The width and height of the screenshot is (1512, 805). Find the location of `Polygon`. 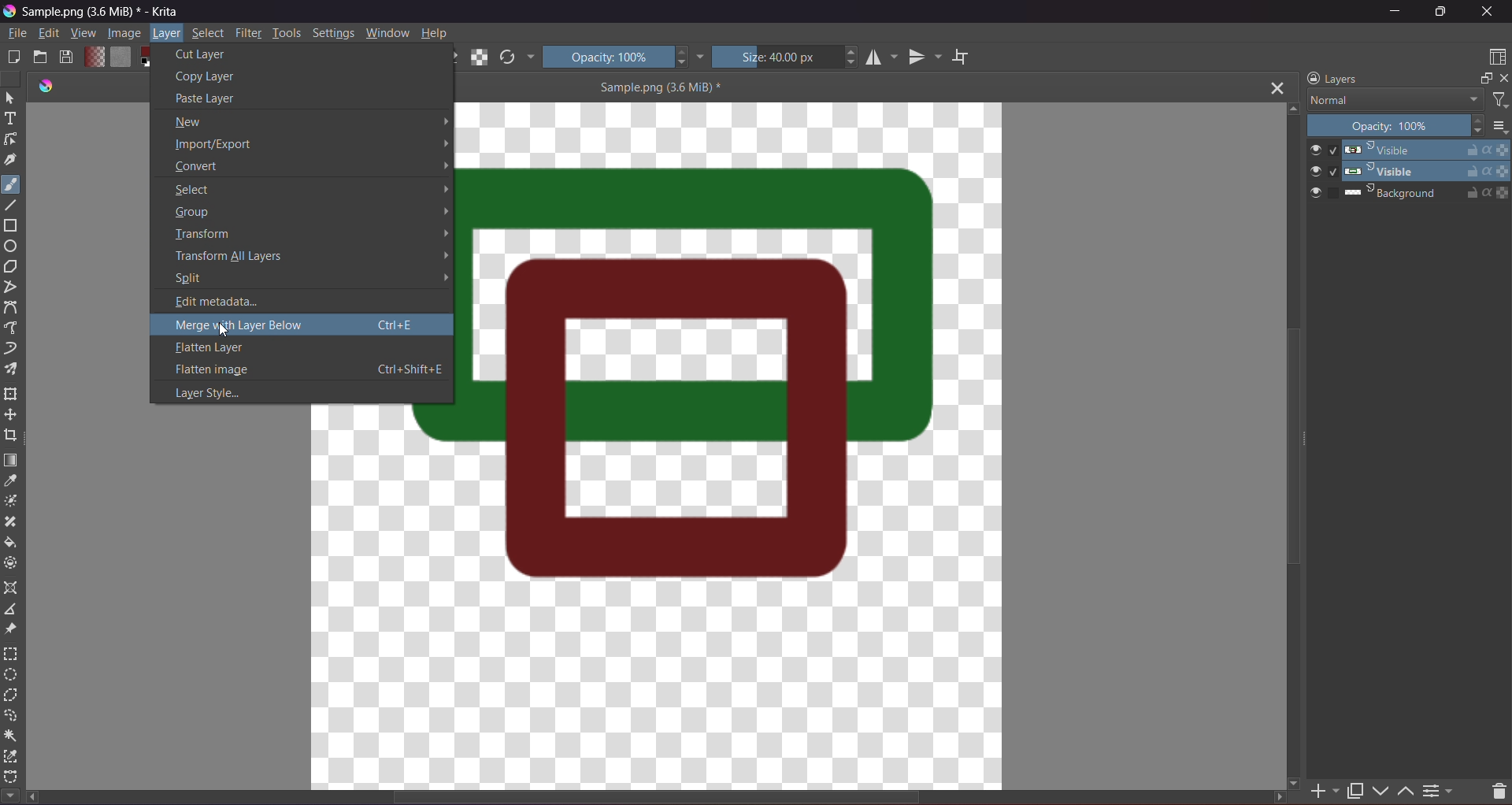

Polygon is located at coordinates (16, 267).